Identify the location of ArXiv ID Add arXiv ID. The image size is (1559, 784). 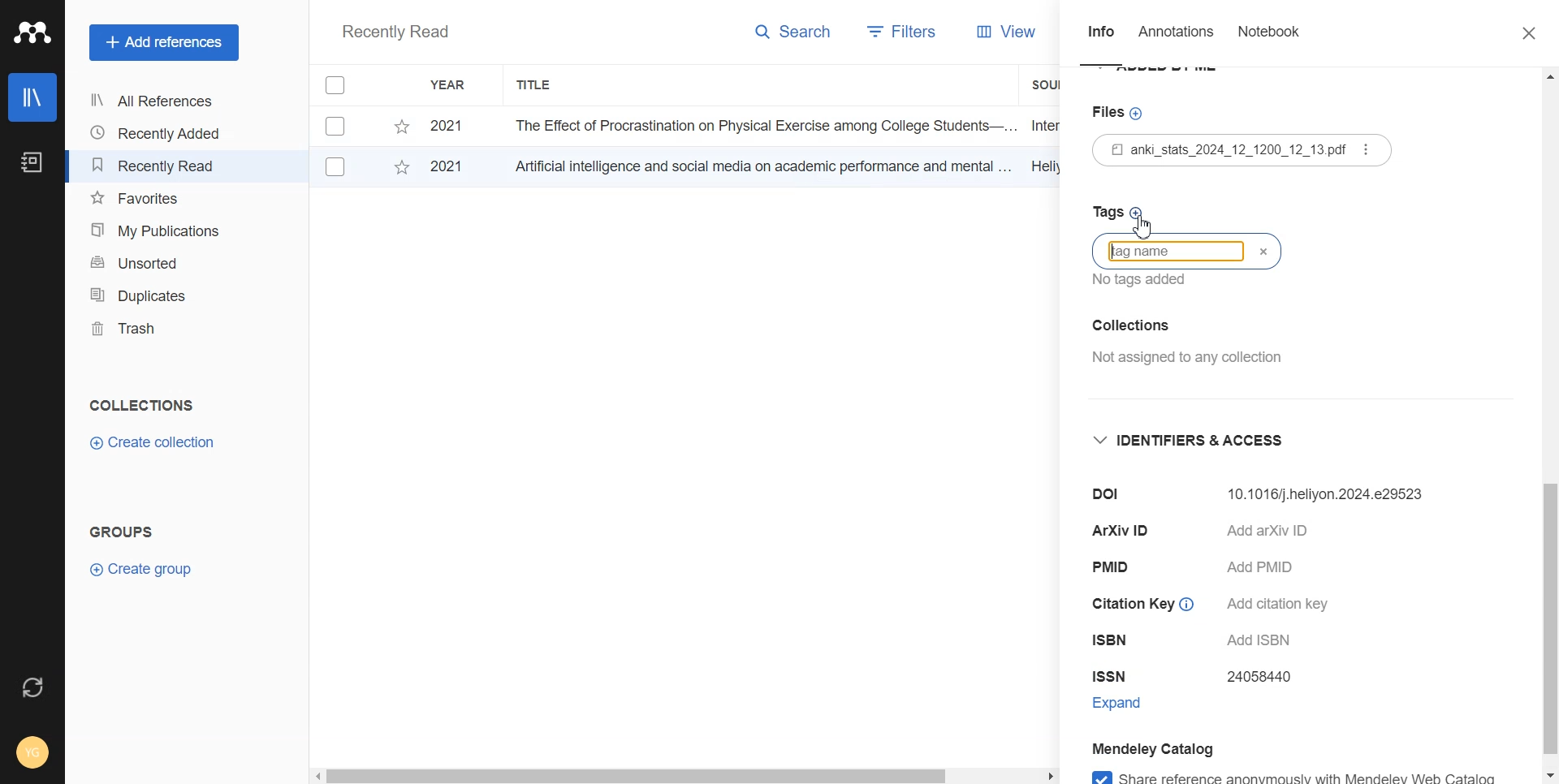
(1225, 533).